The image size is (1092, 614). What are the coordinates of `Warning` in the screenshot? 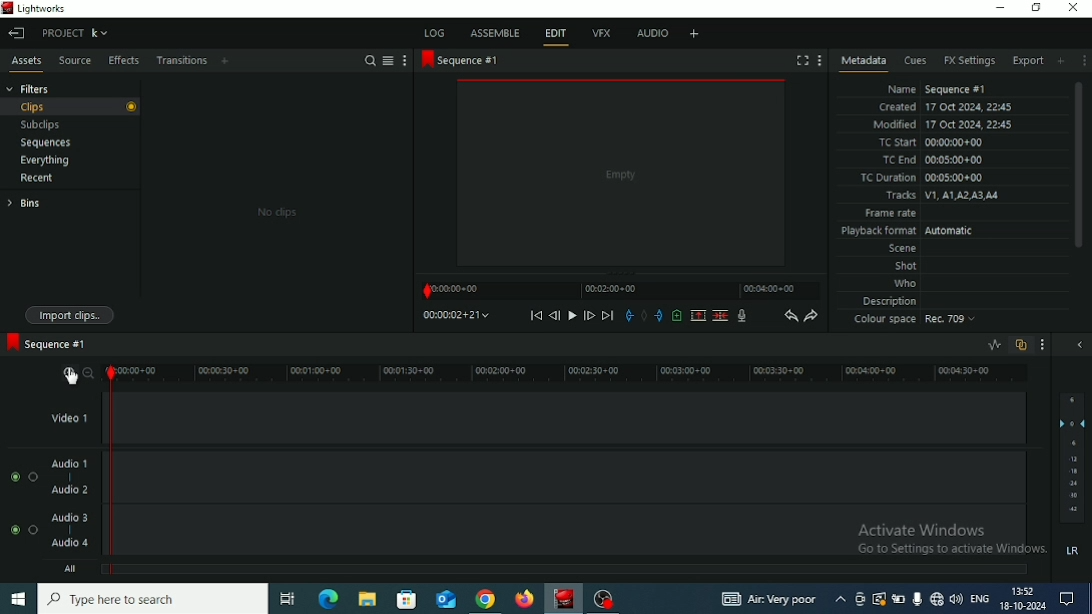 It's located at (878, 598).